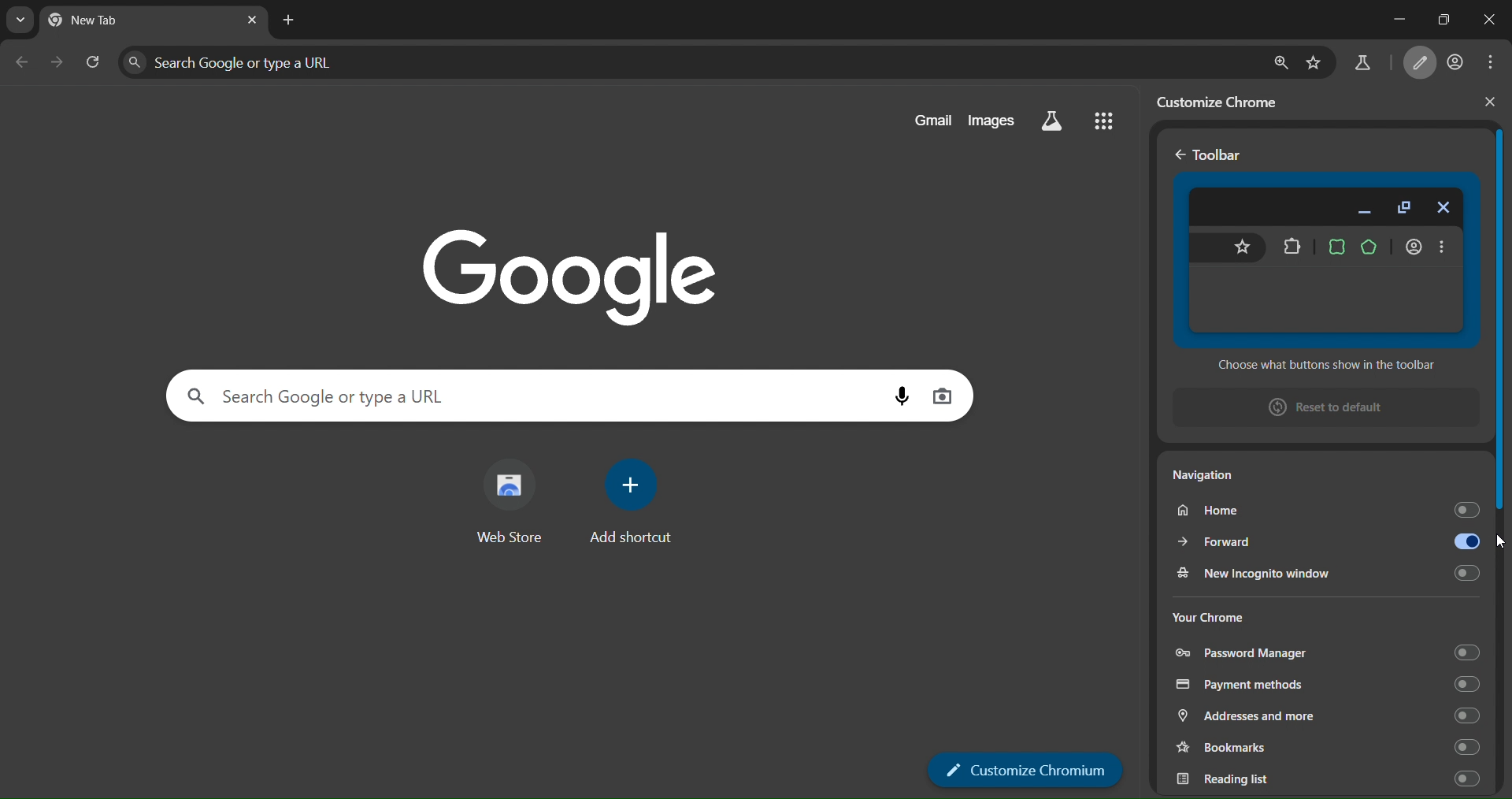 The height and width of the screenshot is (799, 1512). Describe the element at coordinates (1318, 59) in the screenshot. I see `bookmark page` at that location.